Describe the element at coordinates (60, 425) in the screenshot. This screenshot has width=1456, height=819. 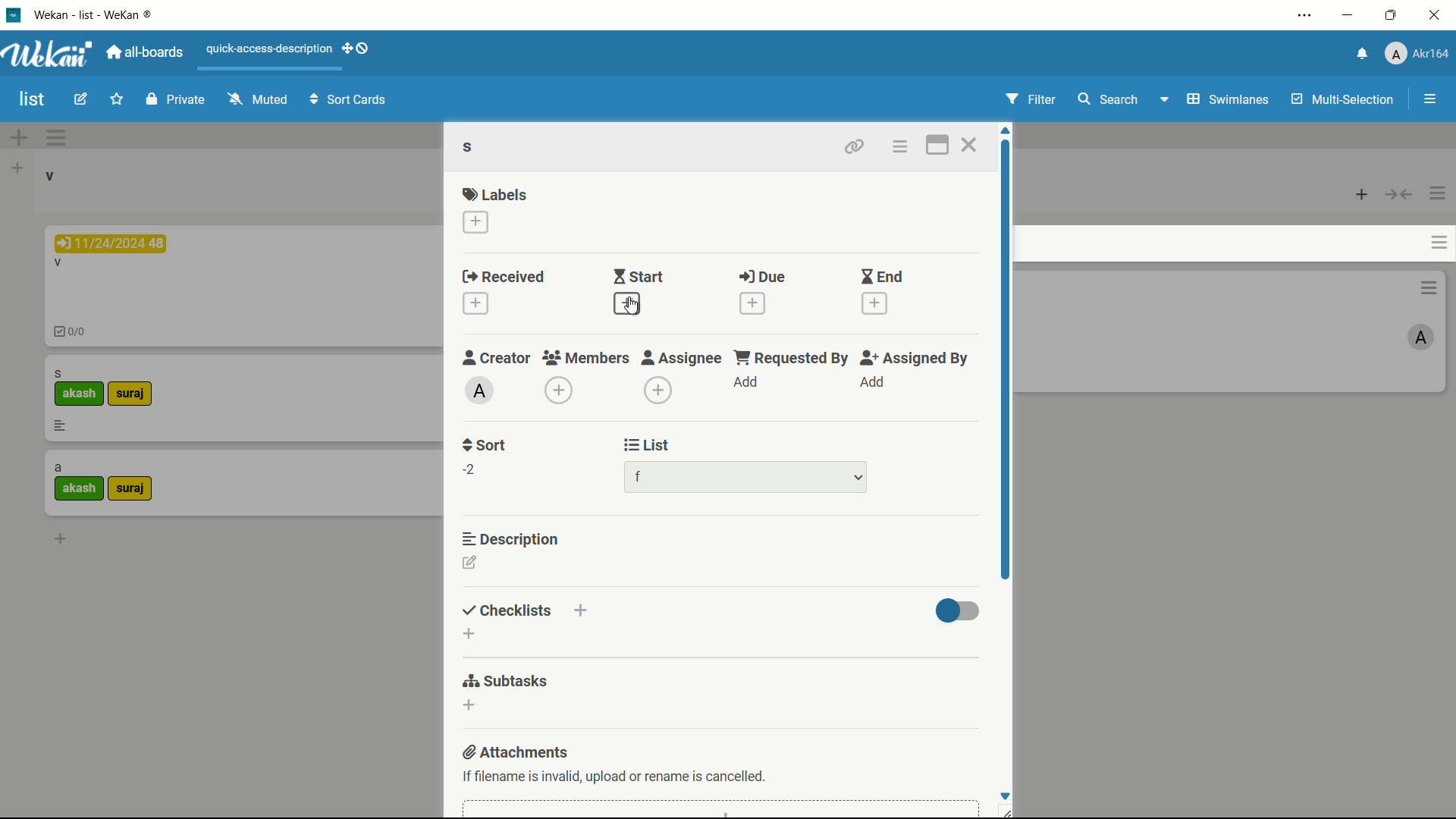
I see `description` at that location.